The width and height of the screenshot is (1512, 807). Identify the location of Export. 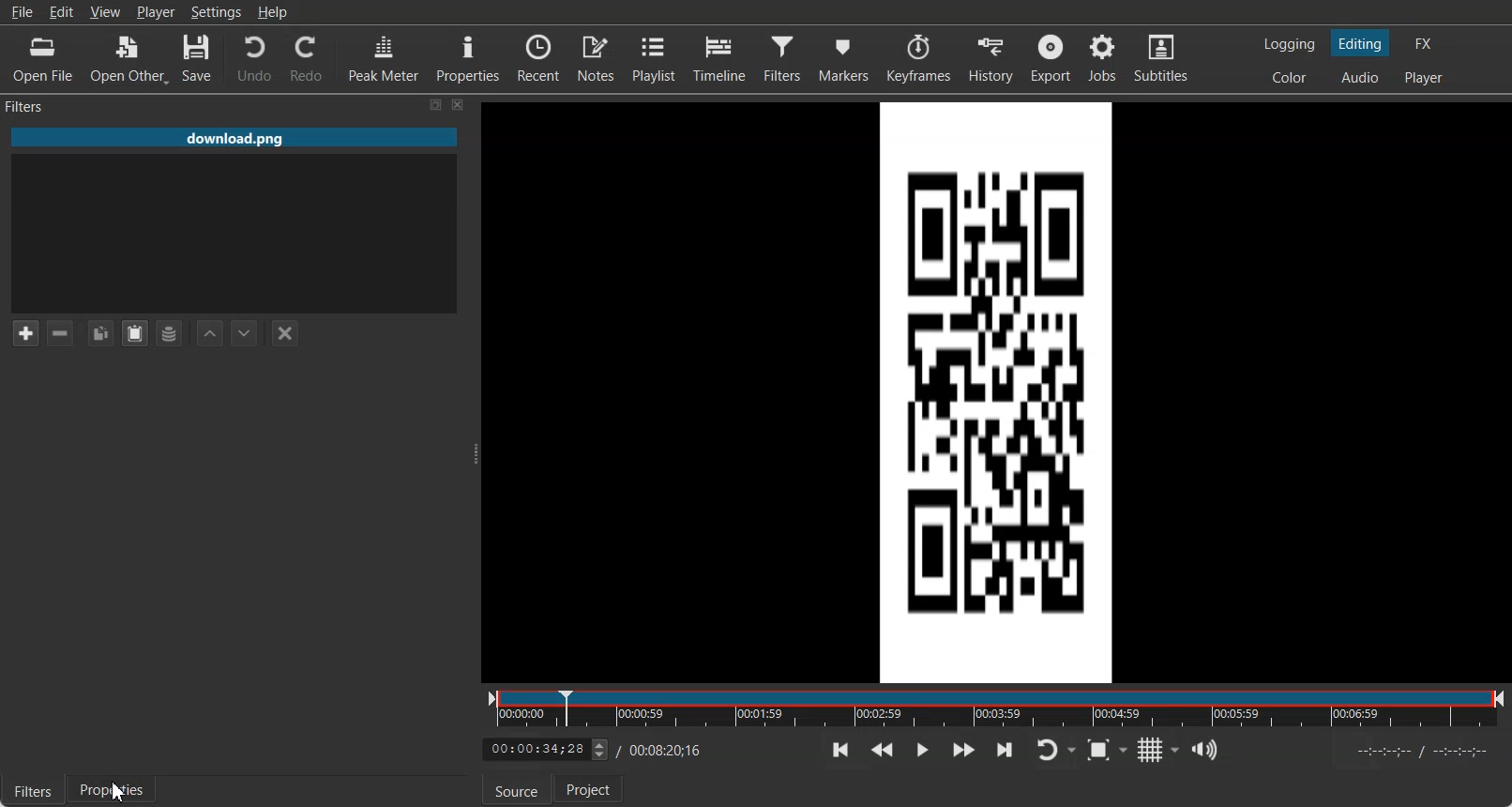
(1051, 59).